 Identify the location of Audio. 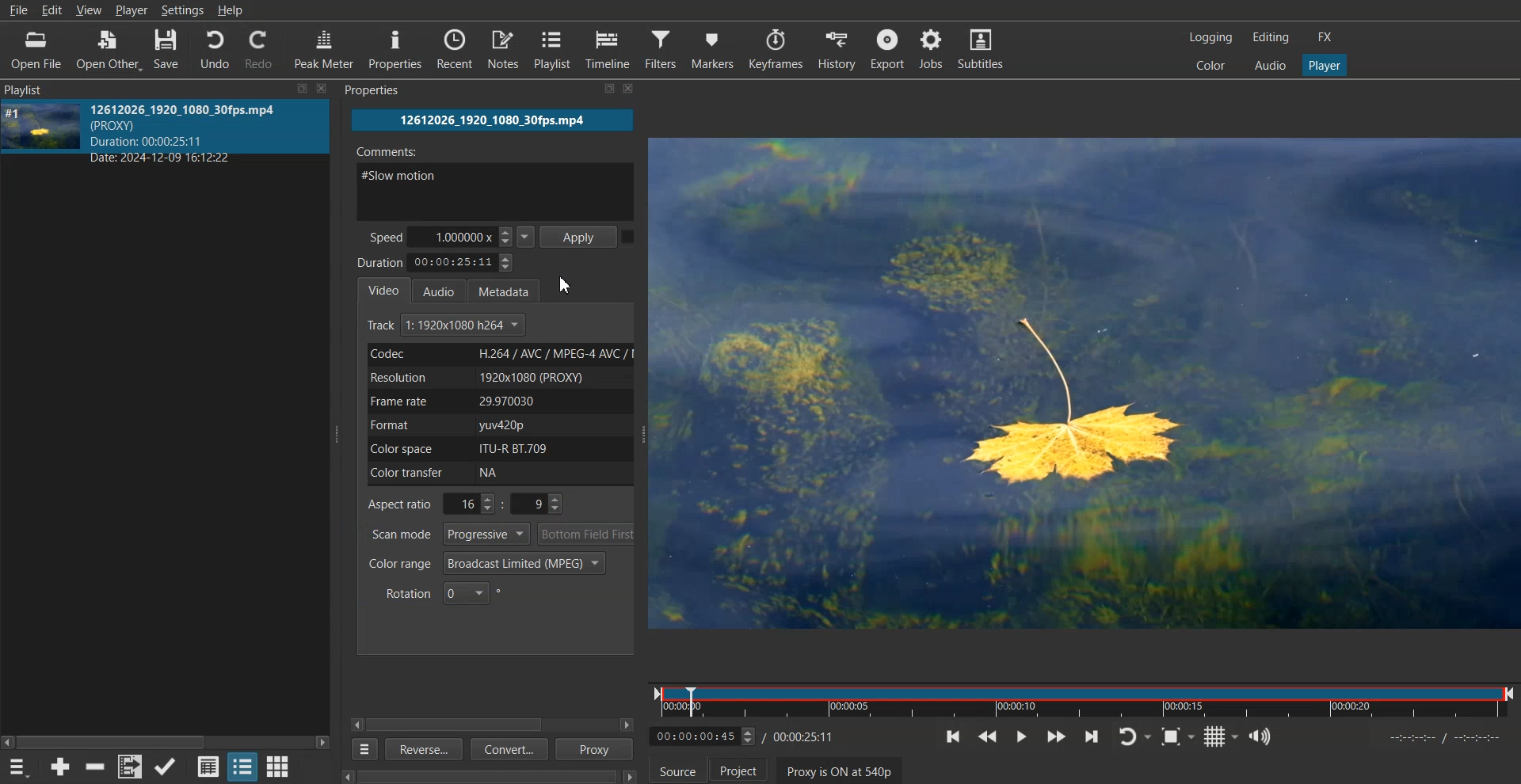
(444, 290).